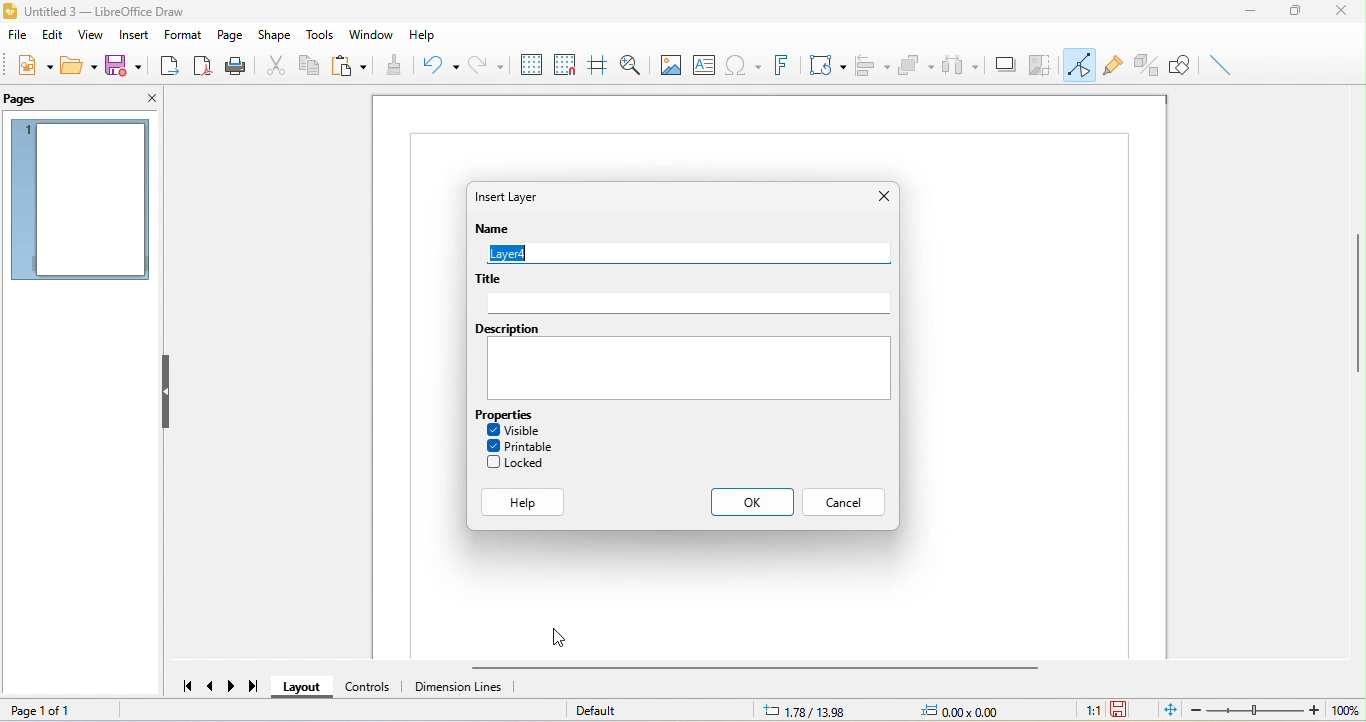  What do you see at coordinates (85, 201) in the screenshot?
I see `page 1` at bounding box center [85, 201].